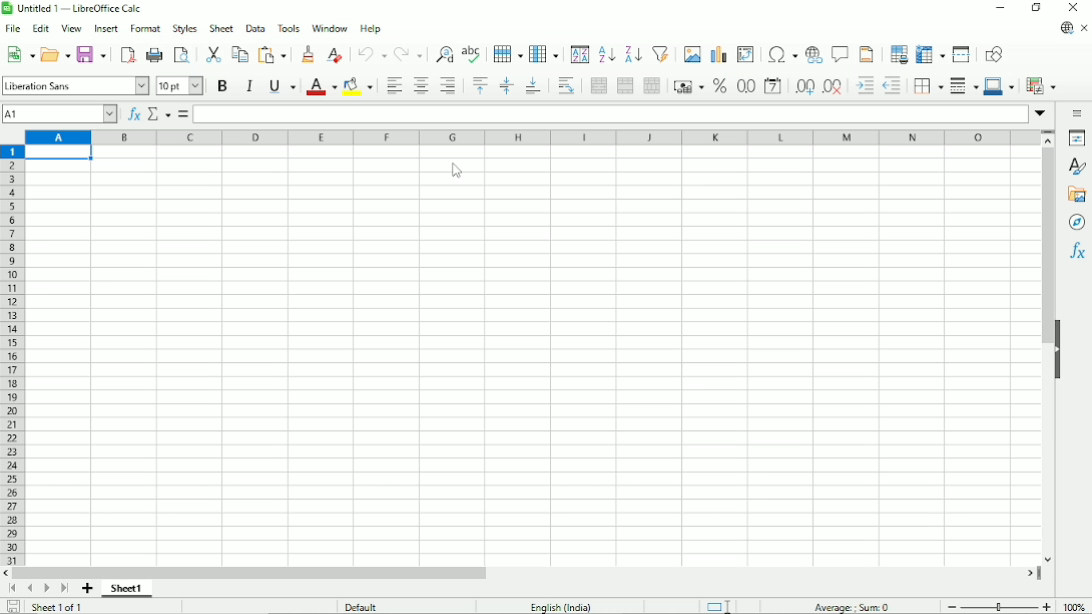  What do you see at coordinates (321, 86) in the screenshot?
I see `Text color` at bounding box center [321, 86].